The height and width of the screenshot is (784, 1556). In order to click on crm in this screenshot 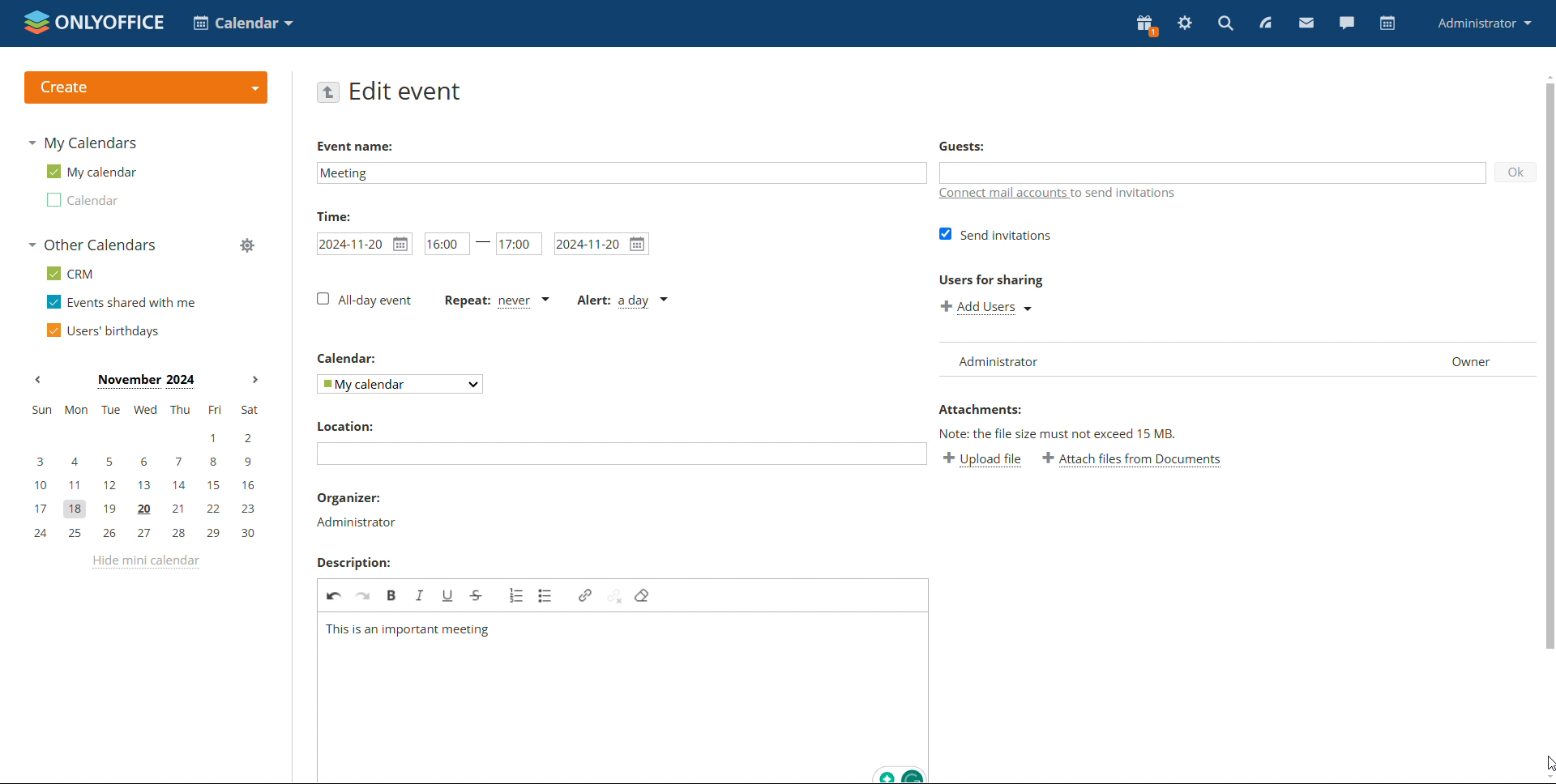, I will do `click(69, 274)`.